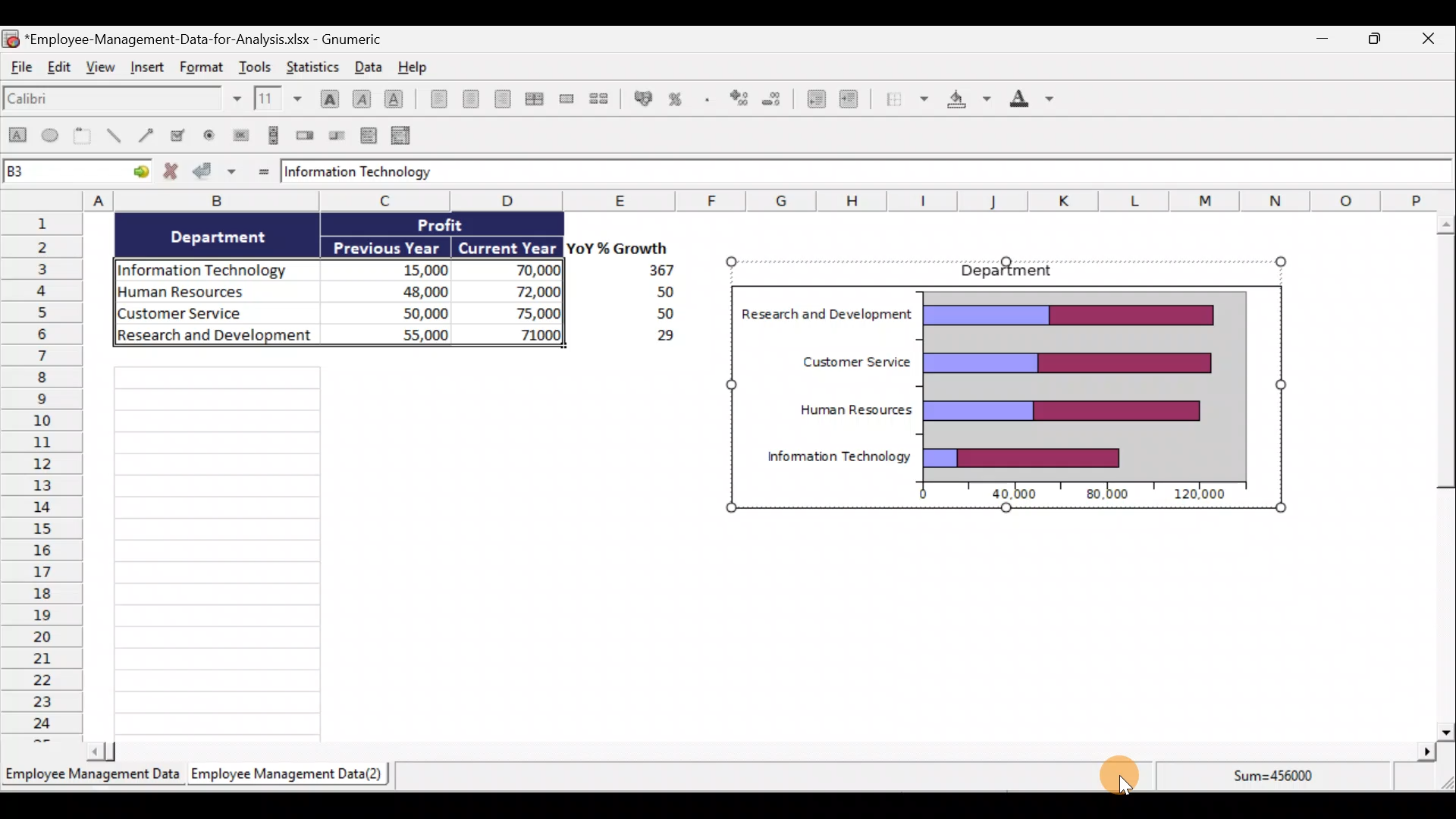 Image resolution: width=1456 pixels, height=819 pixels. I want to click on 72,000, so click(525, 293).